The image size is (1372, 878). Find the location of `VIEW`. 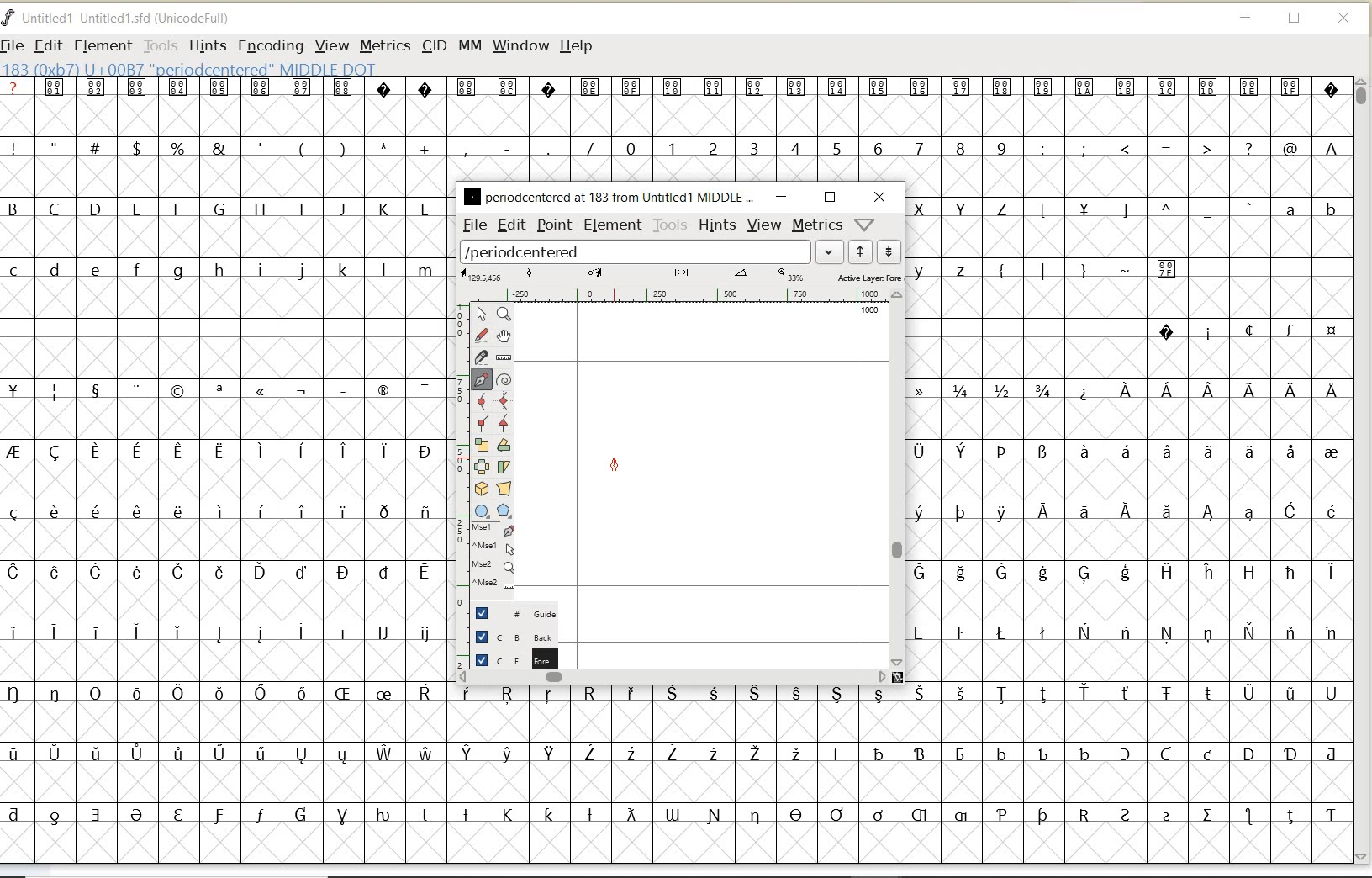

VIEW is located at coordinates (332, 46).